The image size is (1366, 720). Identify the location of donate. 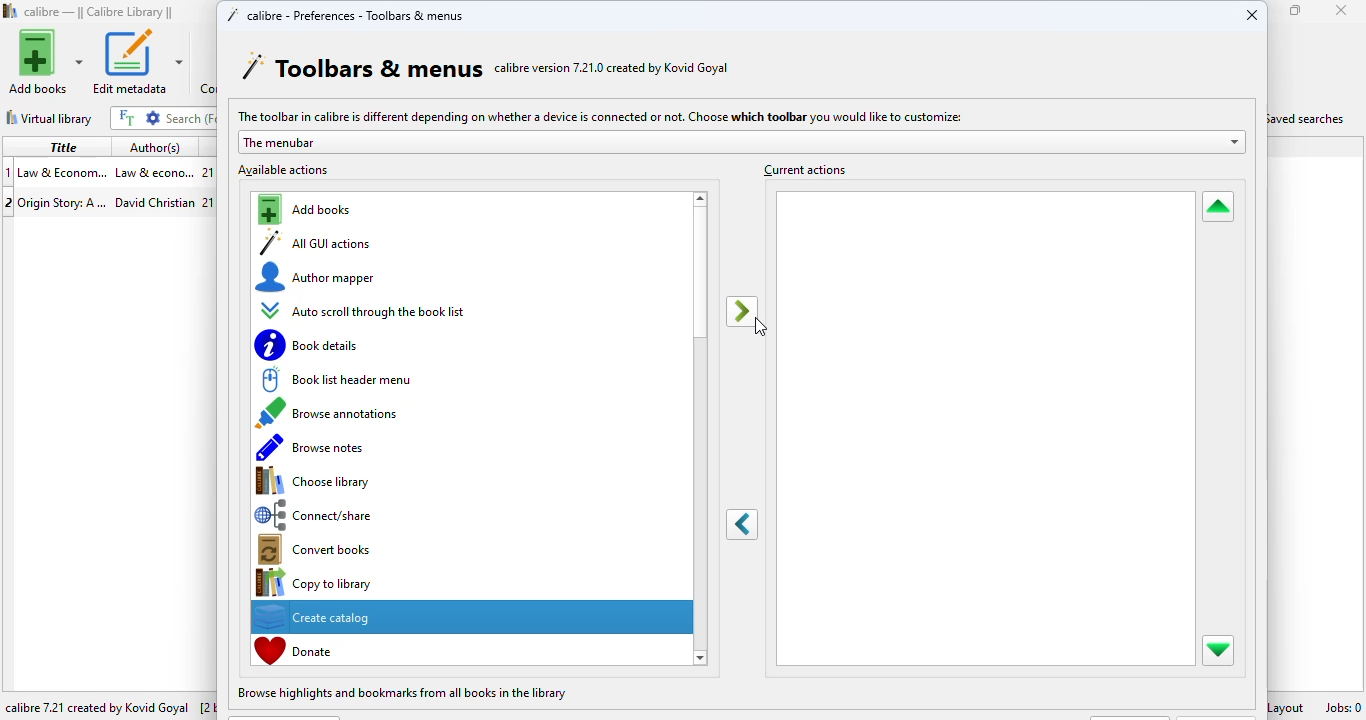
(296, 650).